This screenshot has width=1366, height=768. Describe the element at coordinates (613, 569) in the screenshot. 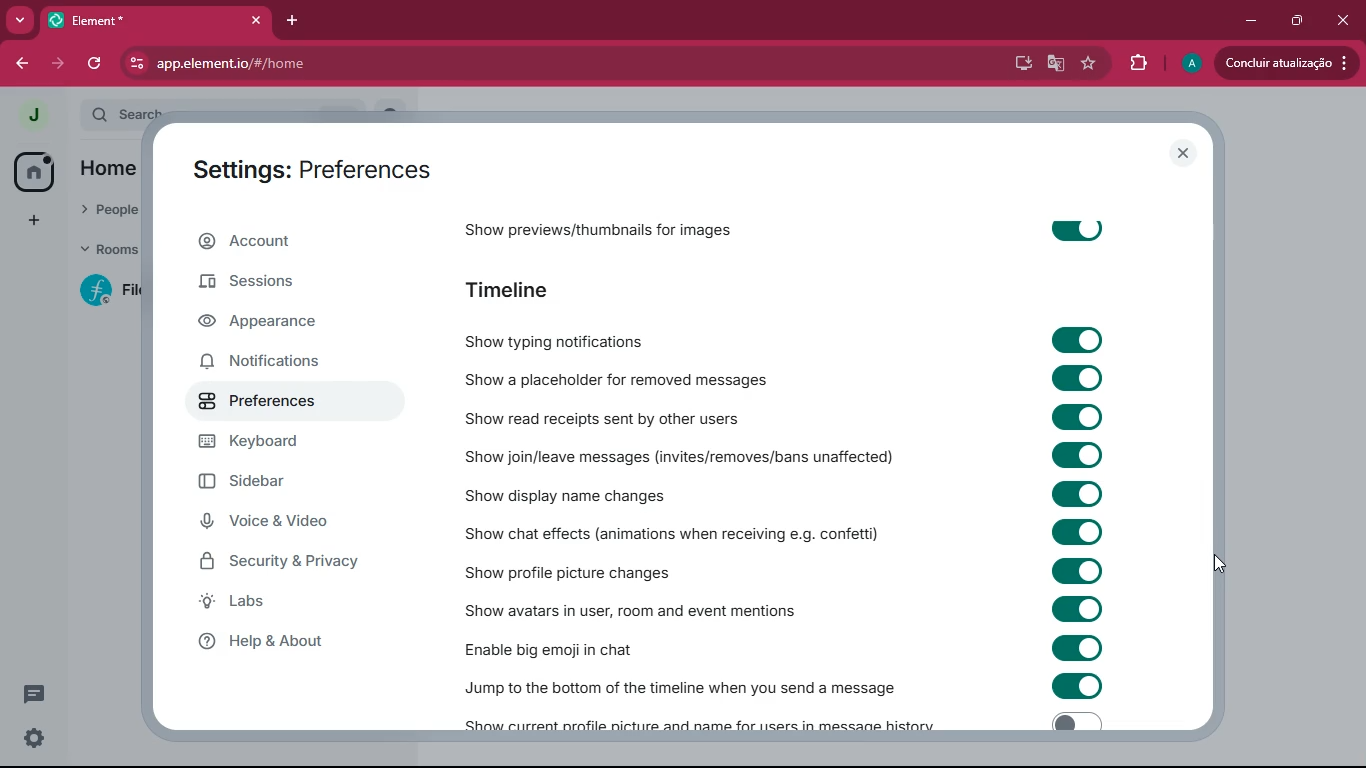

I see `show profile picture changes` at that location.